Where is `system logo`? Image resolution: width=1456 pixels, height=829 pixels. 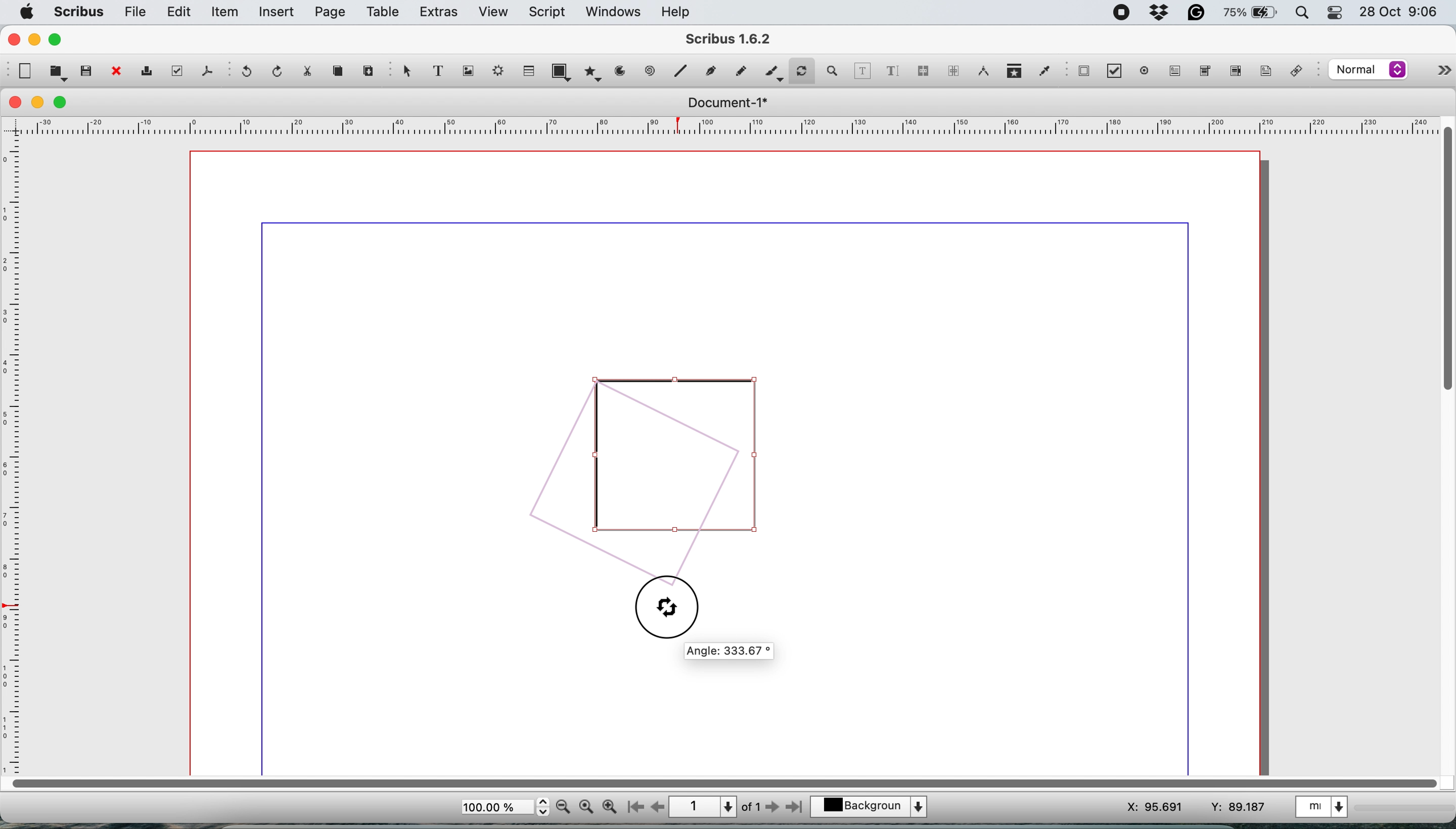
system logo is located at coordinates (28, 11).